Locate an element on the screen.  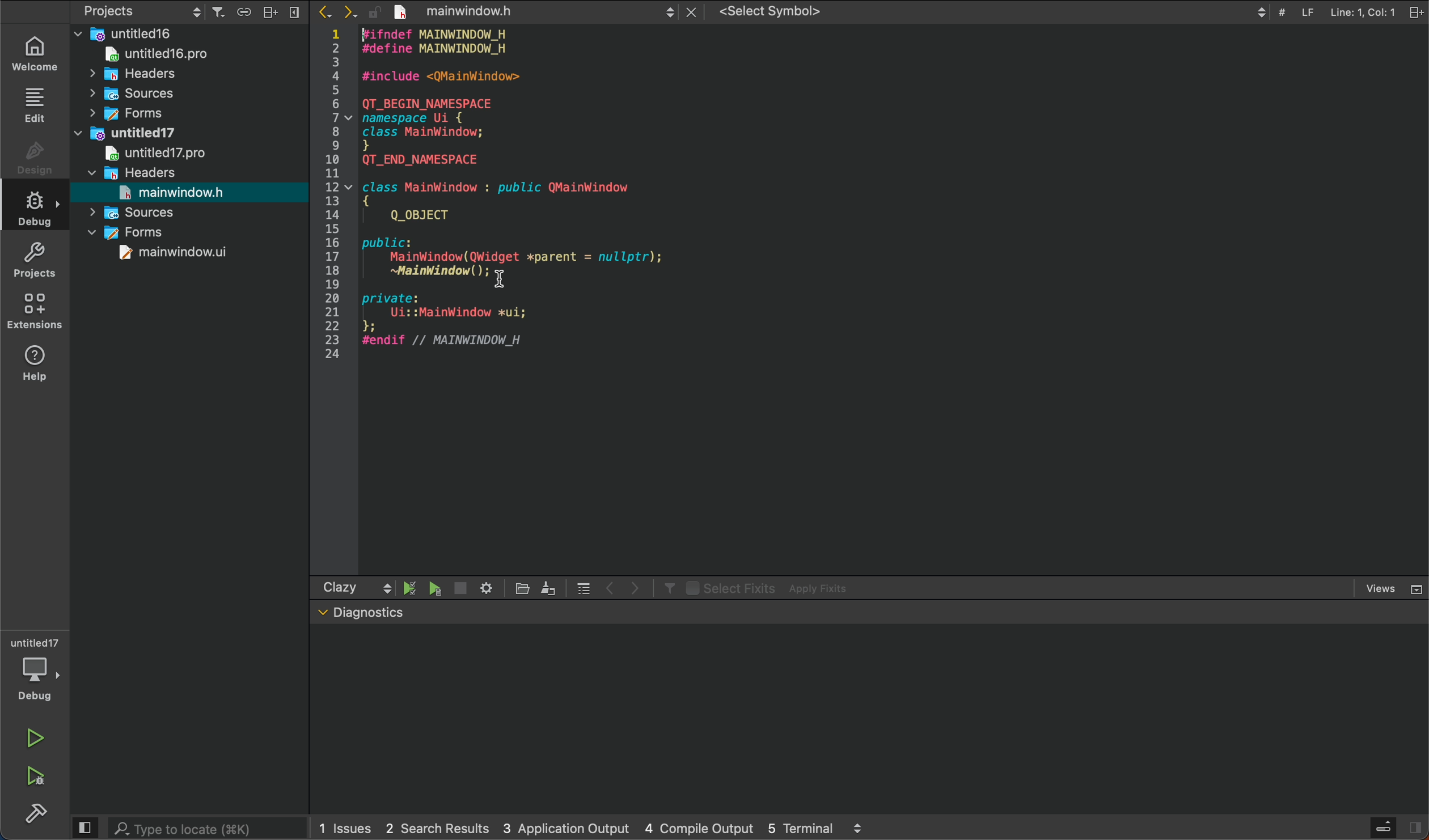
help is located at coordinates (43, 369).